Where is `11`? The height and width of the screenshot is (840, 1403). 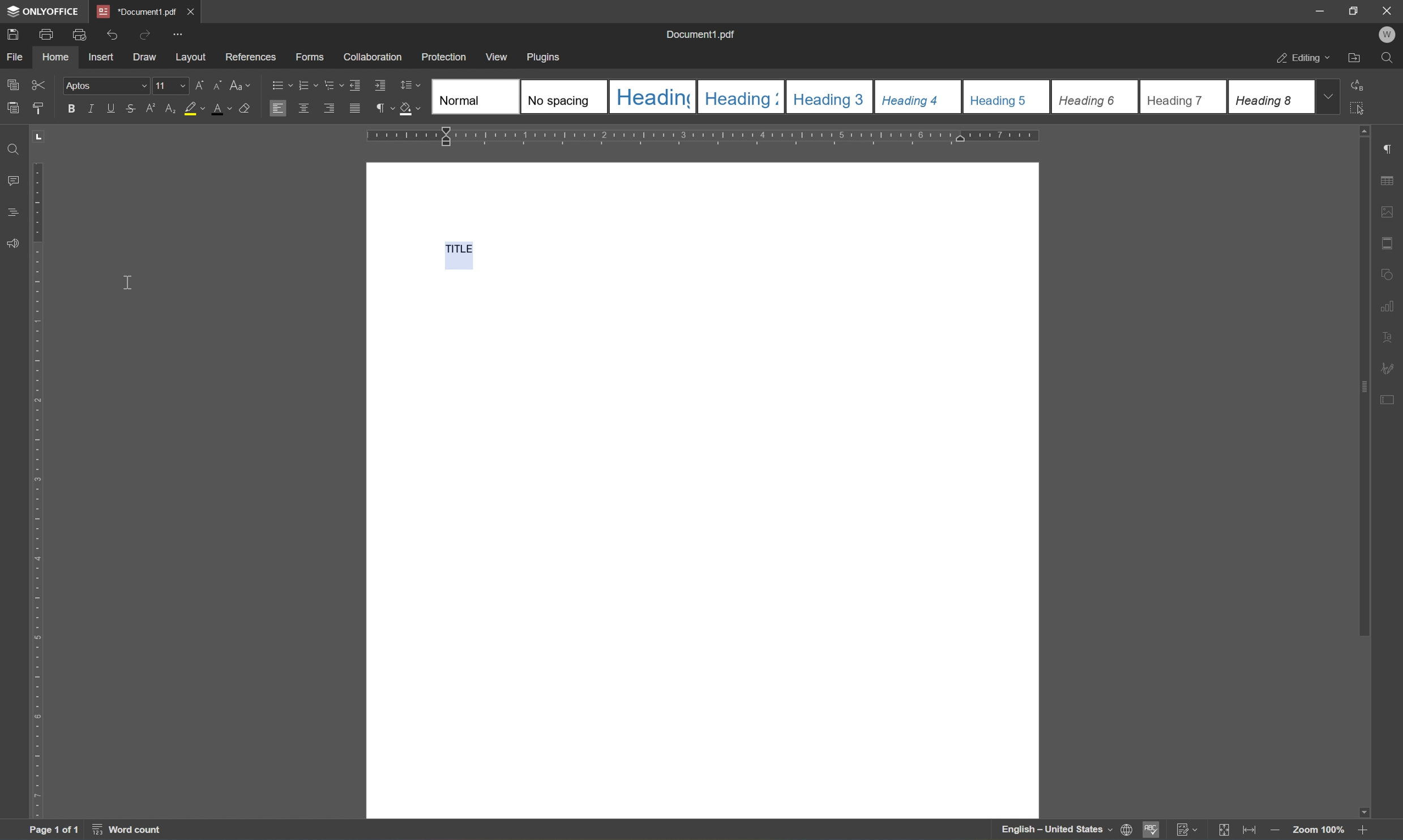 11 is located at coordinates (169, 85).